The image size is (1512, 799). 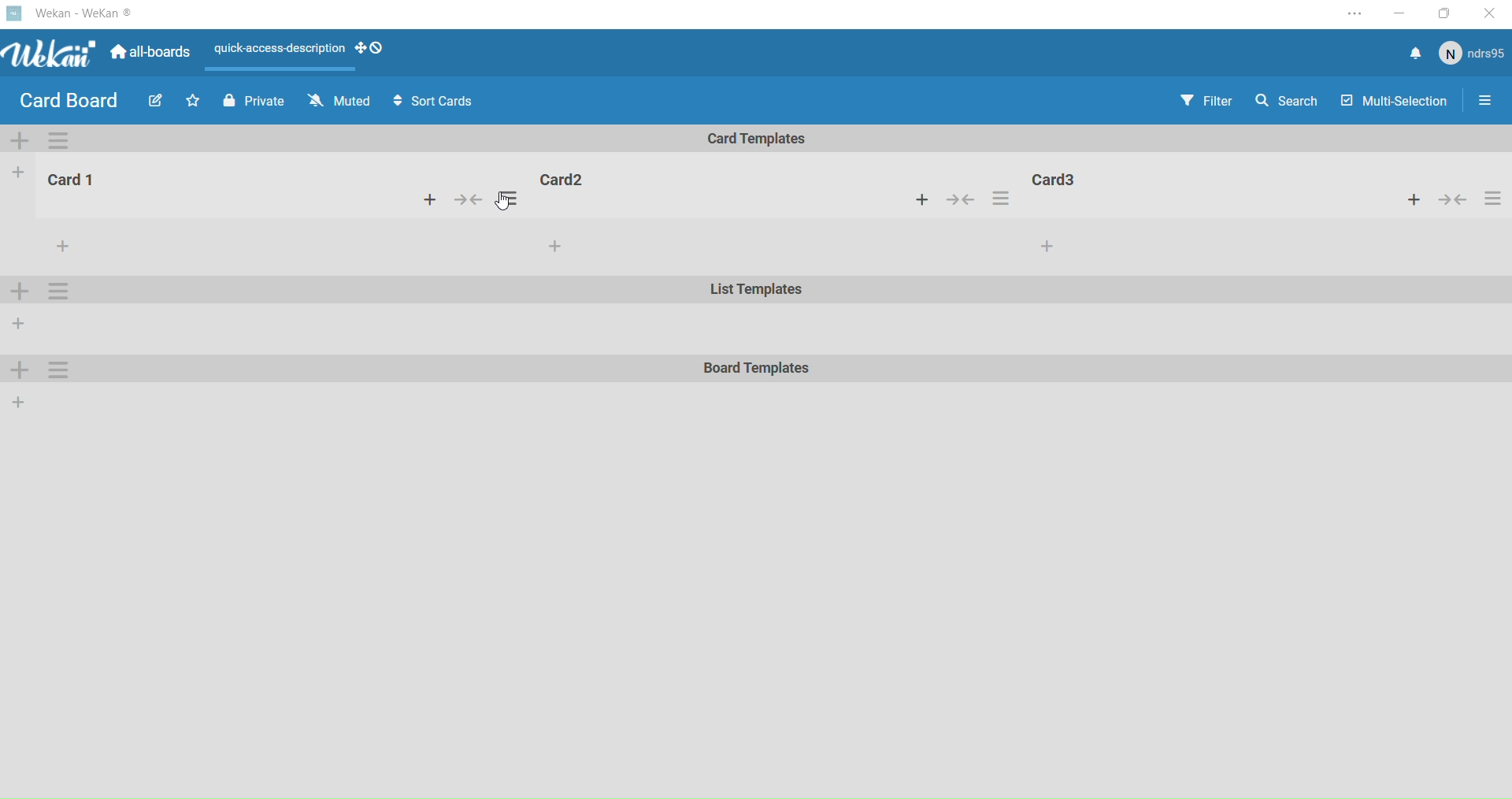 I want to click on Filter, so click(x=1206, y=102).